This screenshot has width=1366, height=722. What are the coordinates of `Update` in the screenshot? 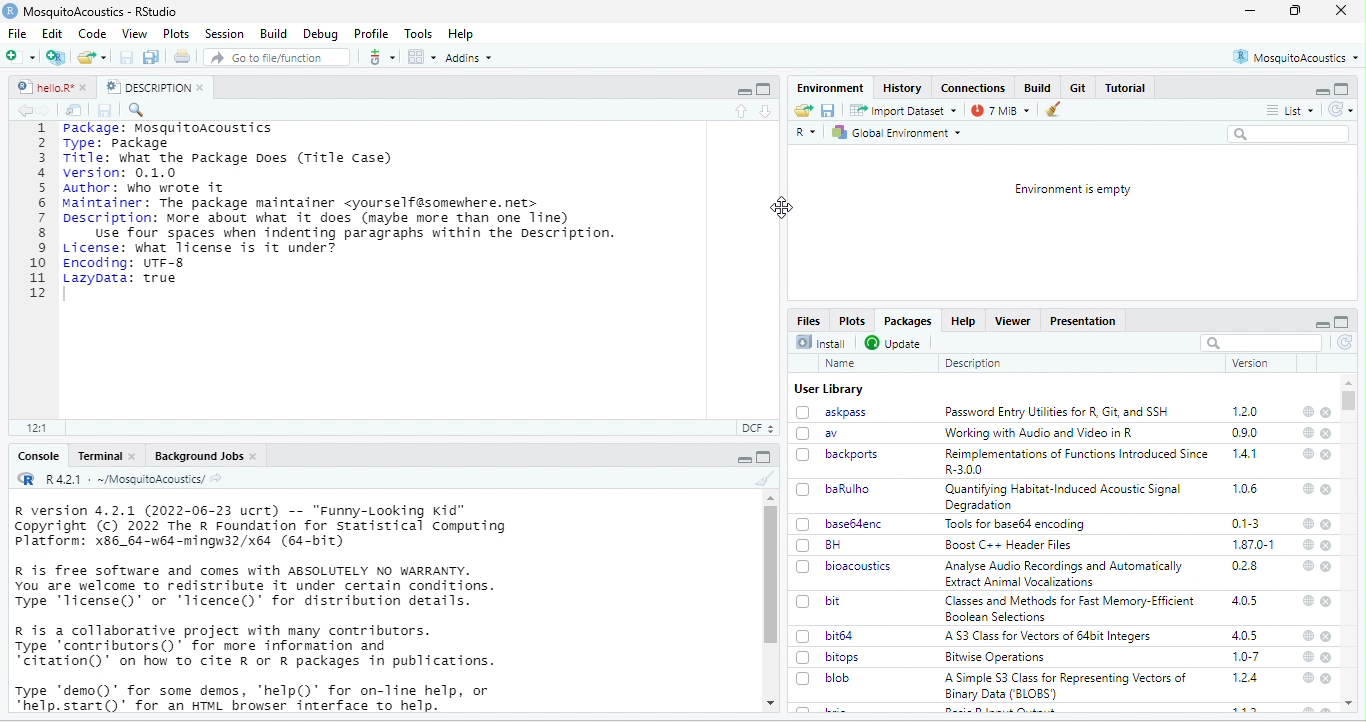 It's located at (894, 342).